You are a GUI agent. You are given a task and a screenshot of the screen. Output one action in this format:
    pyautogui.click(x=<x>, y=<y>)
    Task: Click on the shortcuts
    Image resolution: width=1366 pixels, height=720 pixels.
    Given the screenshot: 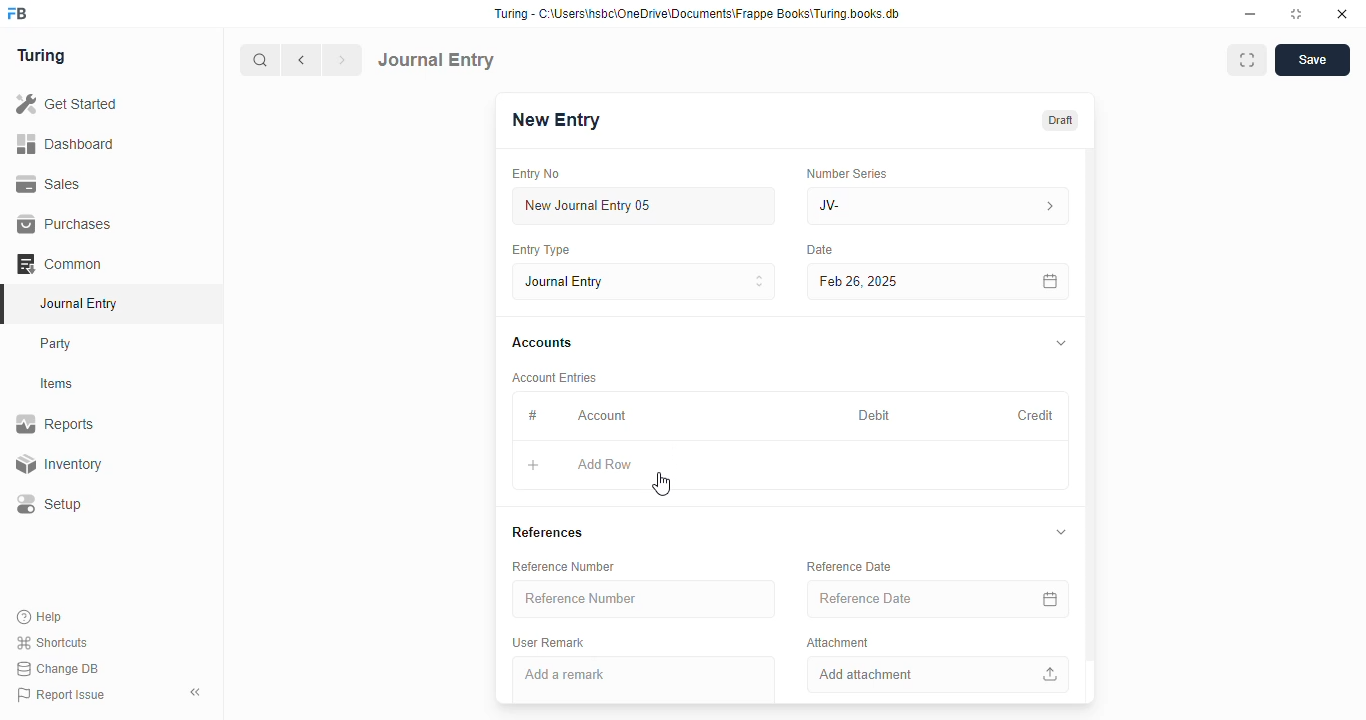 What is the action you would take?
    pyautogui.click(x=52, y=643)
    